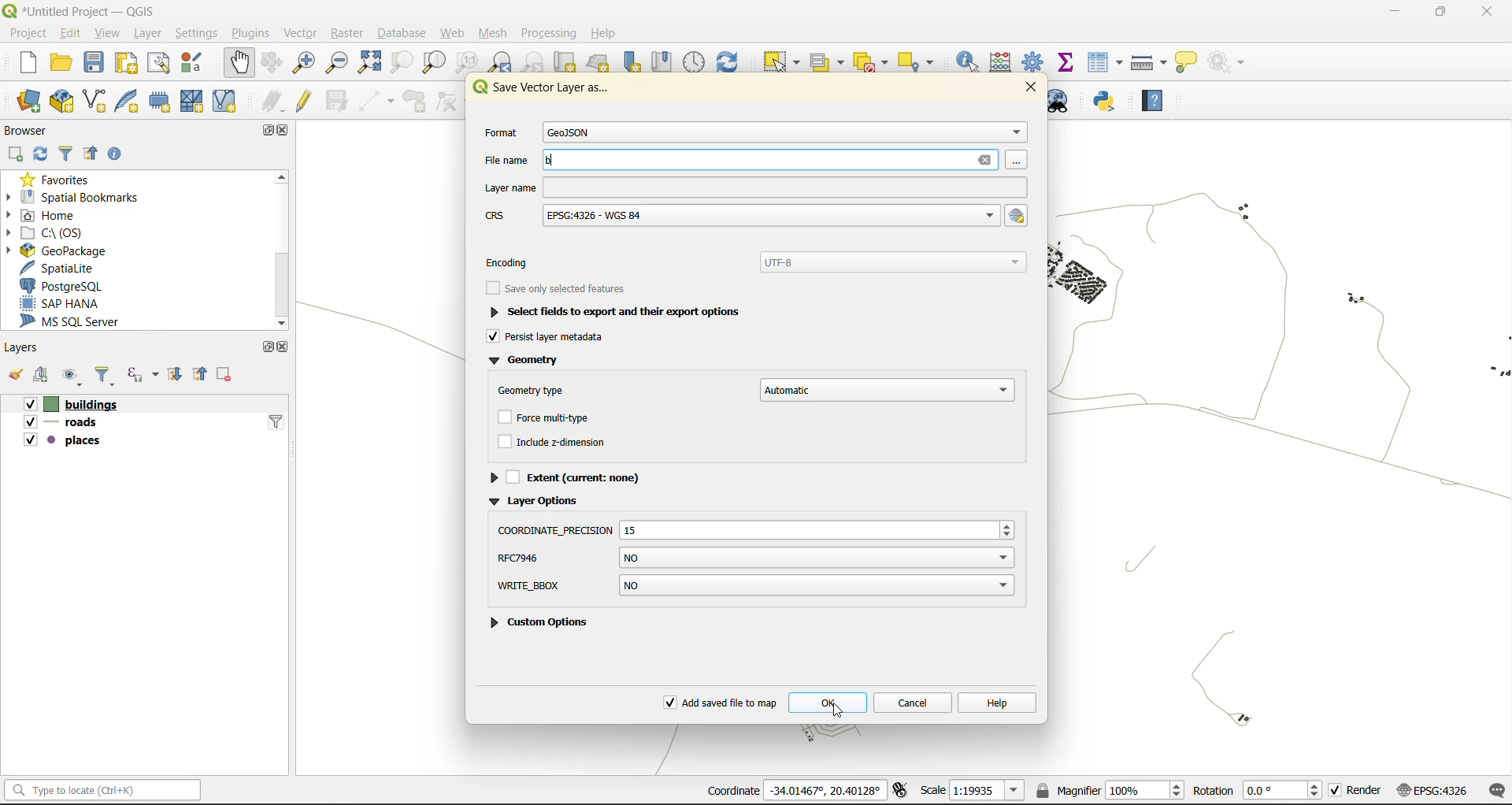 The image size is (1512, 805). Describe the element at coordinates (1027, 87) in the screenshot. I see `close` at that location.